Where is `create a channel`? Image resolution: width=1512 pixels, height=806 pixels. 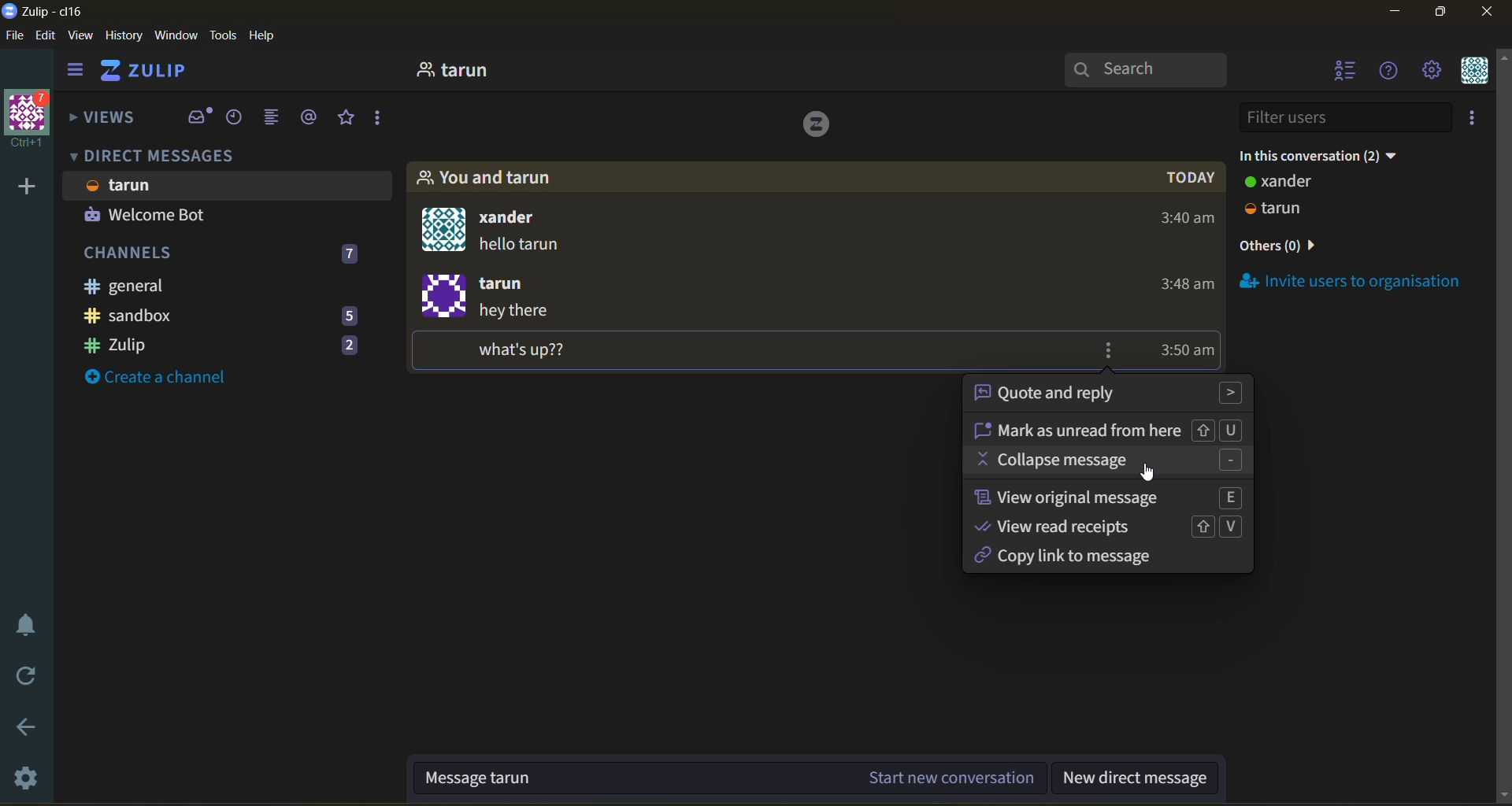
create a channel is located at coordinates (165, 377).